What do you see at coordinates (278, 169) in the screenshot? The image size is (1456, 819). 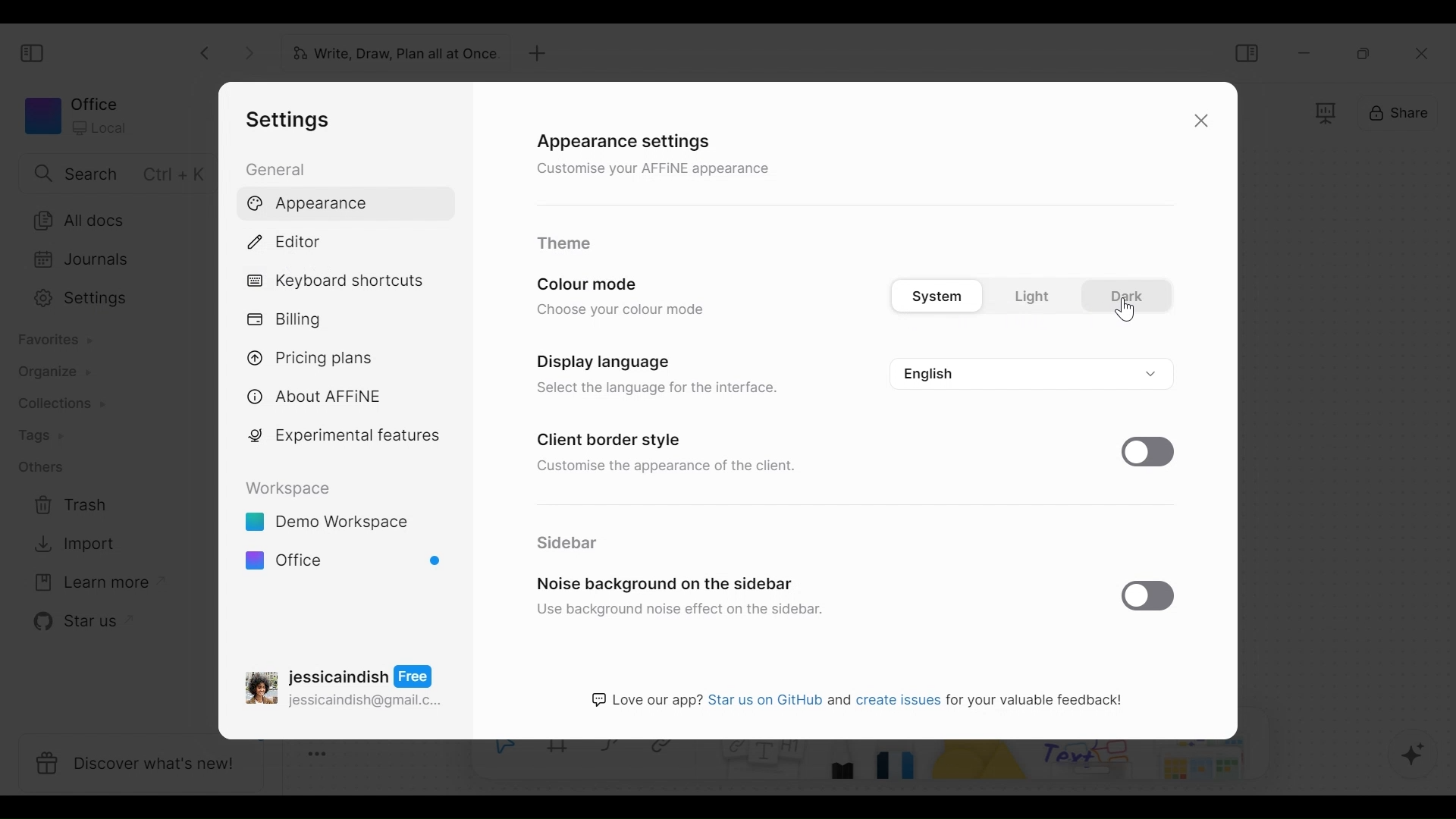 I see `General` at bounding box center [278, 169].